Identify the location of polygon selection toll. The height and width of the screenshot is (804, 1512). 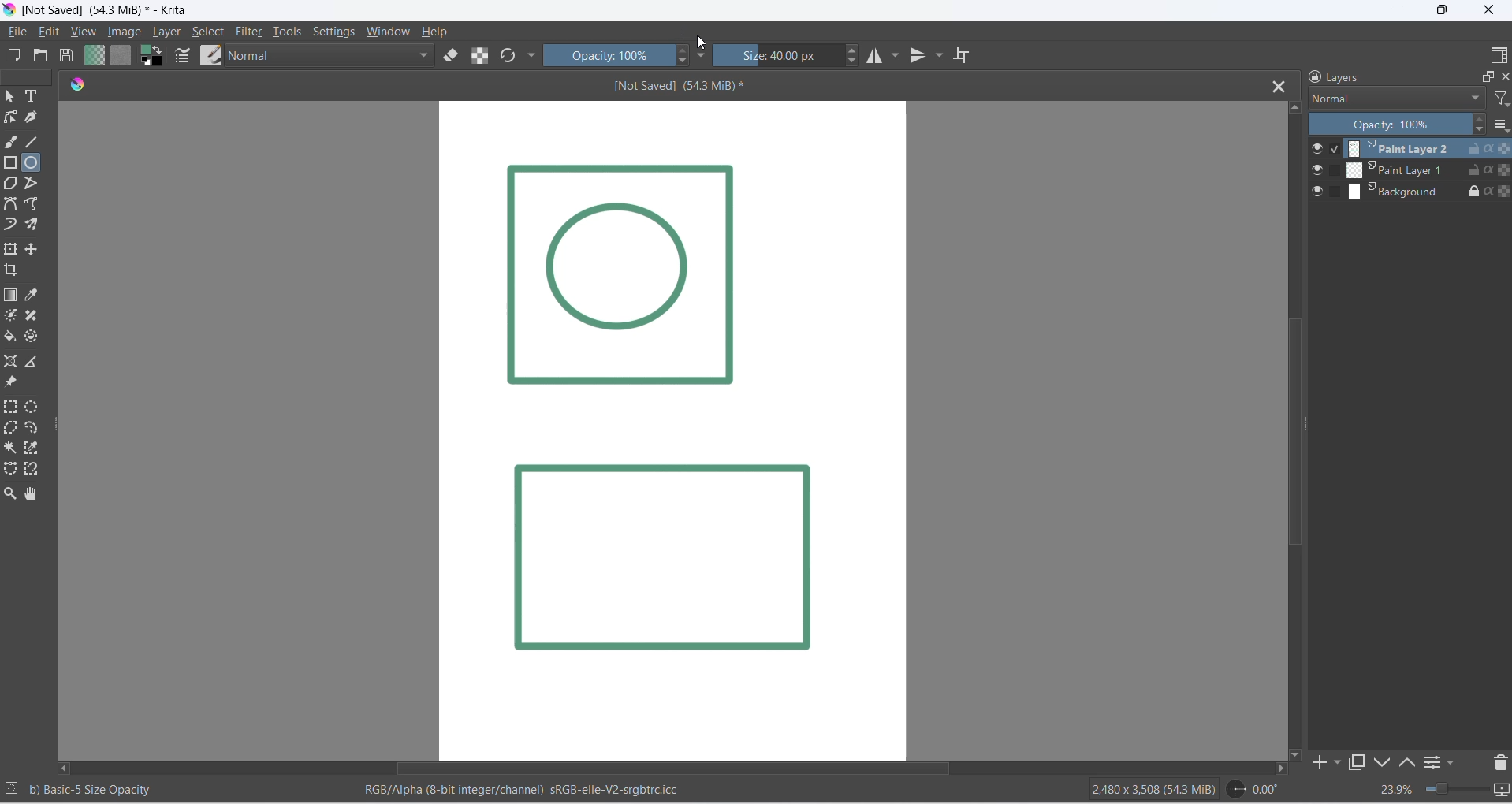
(11, 429).